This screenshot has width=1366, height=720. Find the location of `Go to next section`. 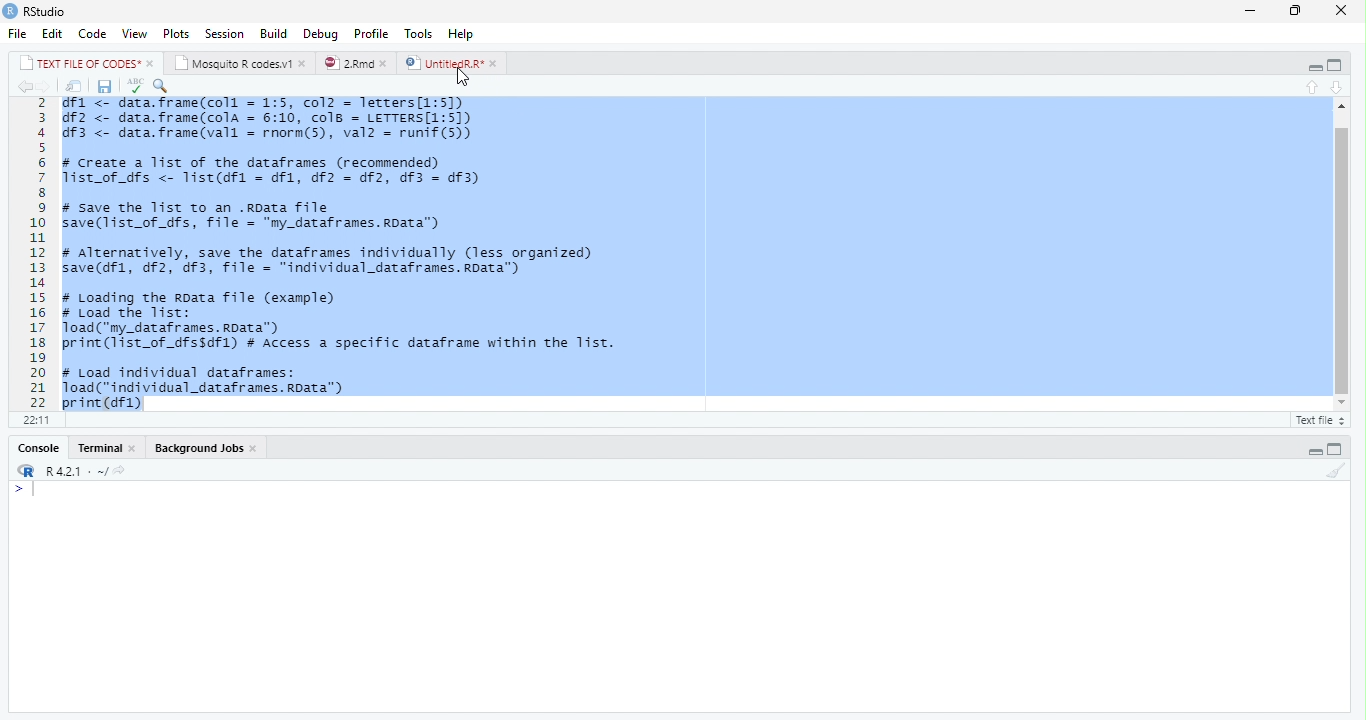

Go to next section is located at coordinates (1336, 88).